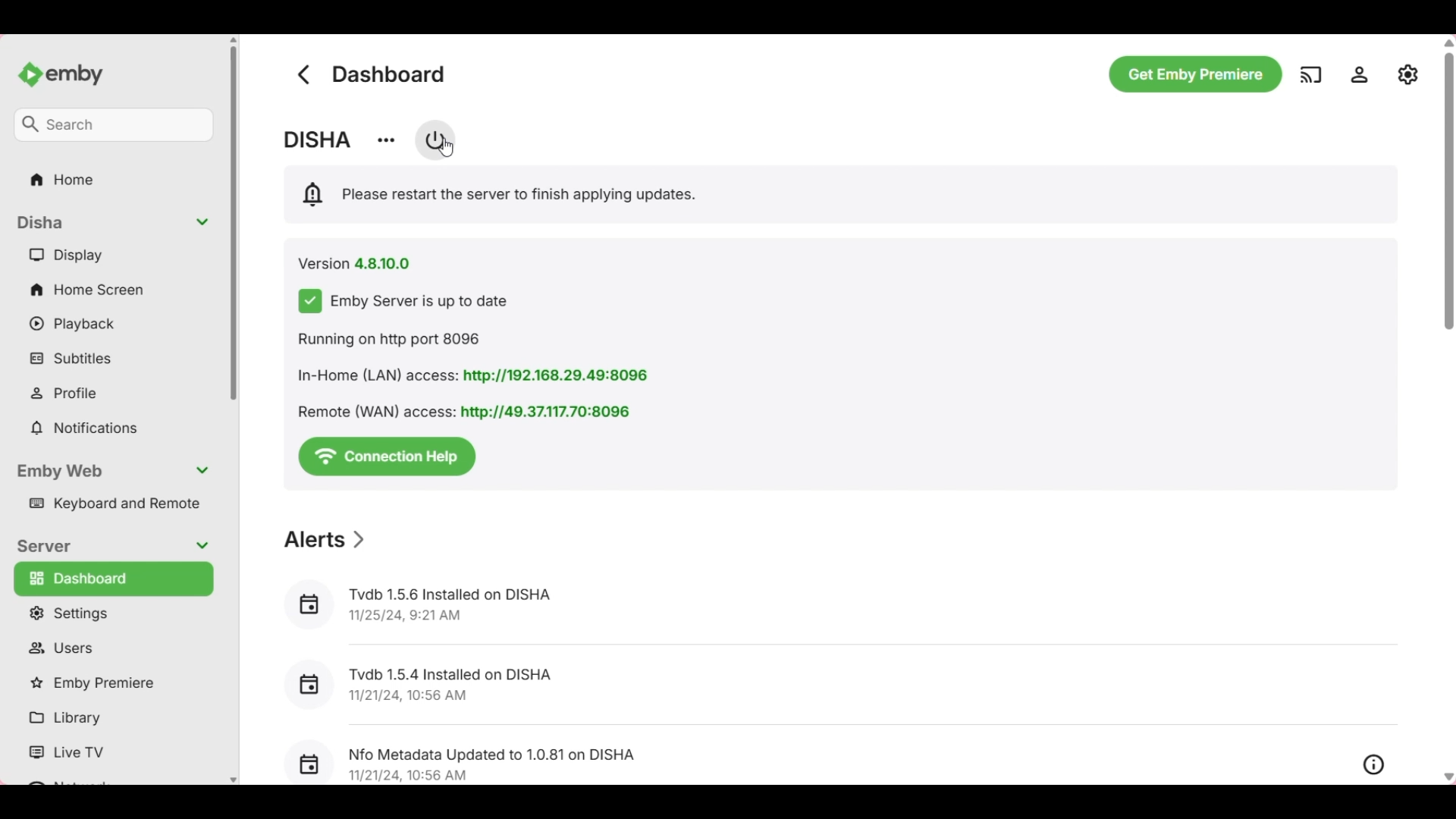 Image resolution: width=1456 pixels, height=819 pixels. Describe the element at coordinates (110, 753) in the screenshot. I see `Live TV` at that location.